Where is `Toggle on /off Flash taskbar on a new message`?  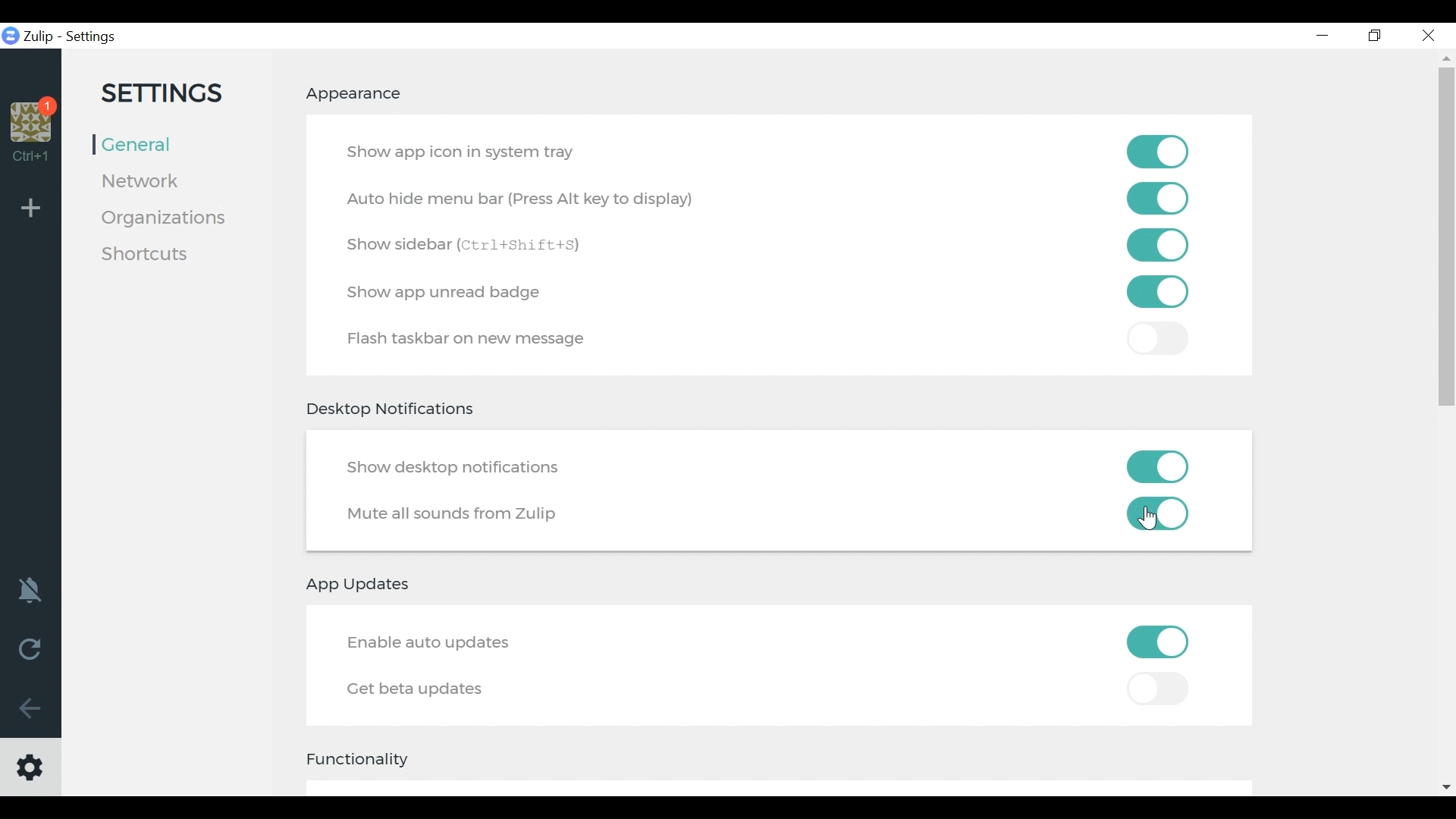 Toggle on /off Flash taskbar on a new message is located at coordinates (1156, 292).